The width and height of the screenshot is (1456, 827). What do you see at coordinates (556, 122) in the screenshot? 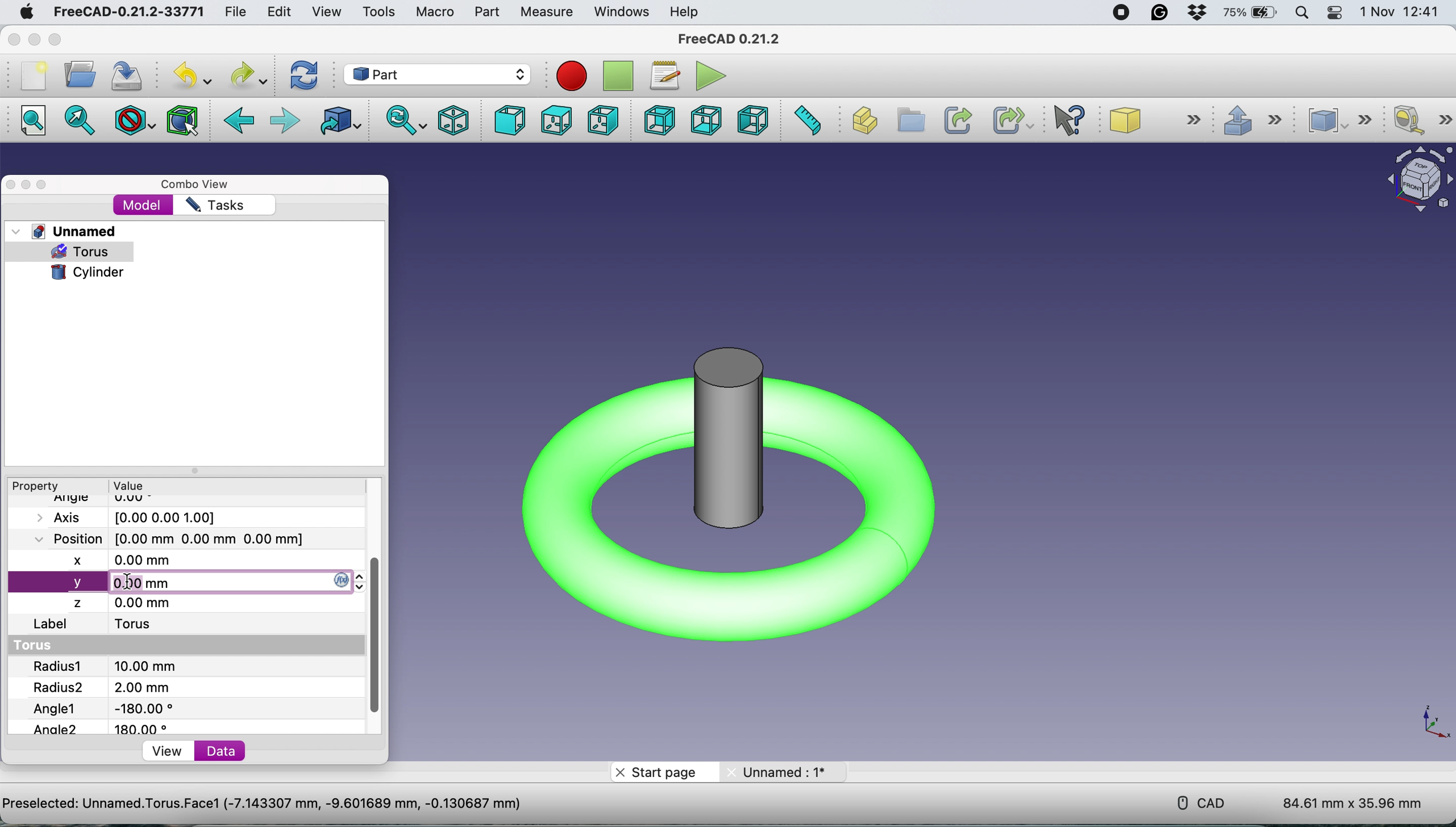
I see `top` at bounding box center [556, 122].